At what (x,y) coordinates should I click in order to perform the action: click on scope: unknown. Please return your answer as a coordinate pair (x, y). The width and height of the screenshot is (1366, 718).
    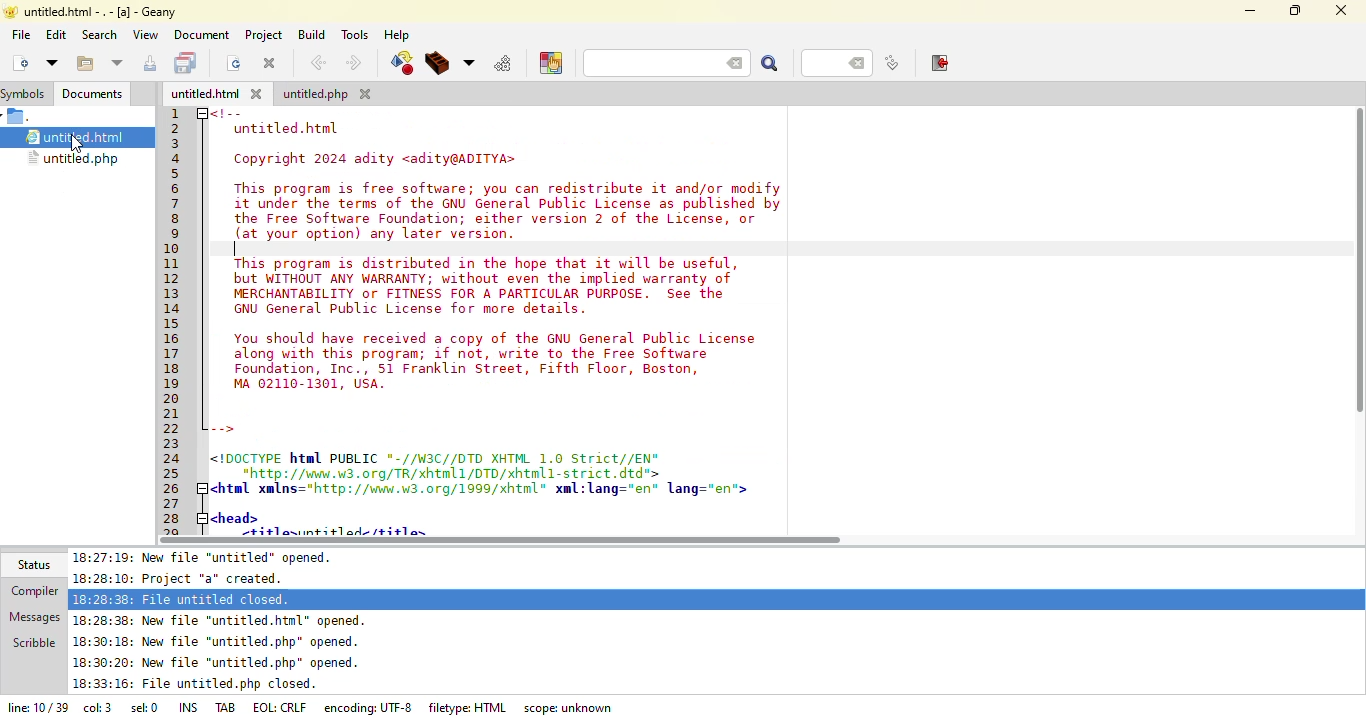
    Looking at the image, I should click on (565, 709).